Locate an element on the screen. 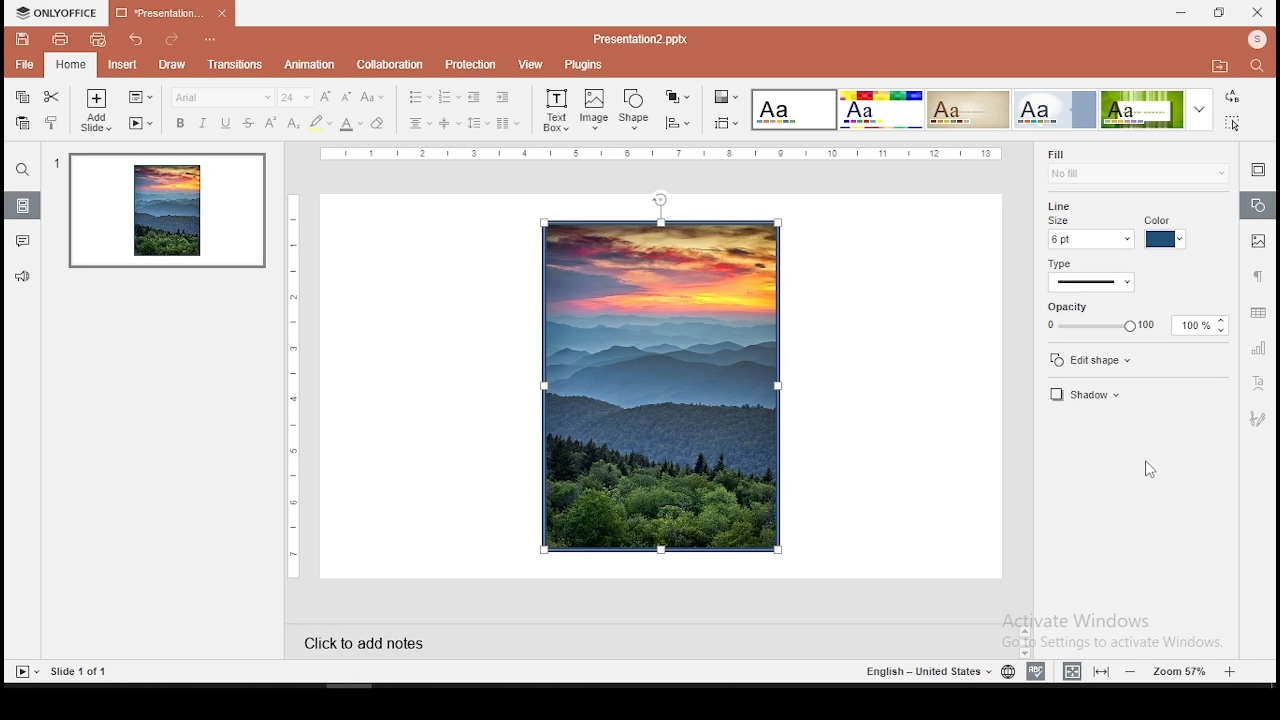 This screenshot has height=720, width=1280. cut is located at coordinates (52, 97).